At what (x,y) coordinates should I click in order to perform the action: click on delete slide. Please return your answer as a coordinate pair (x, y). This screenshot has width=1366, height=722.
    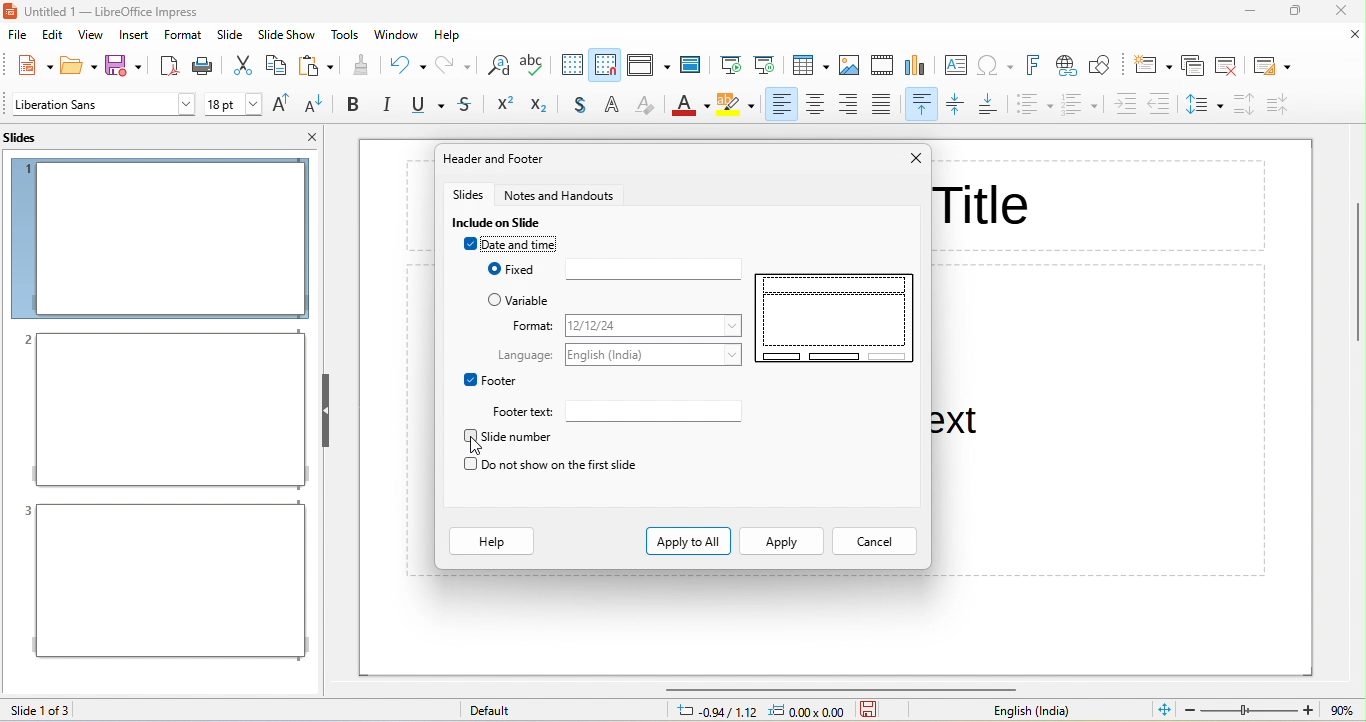
    Looking at the image, I should click on (1229, 64).